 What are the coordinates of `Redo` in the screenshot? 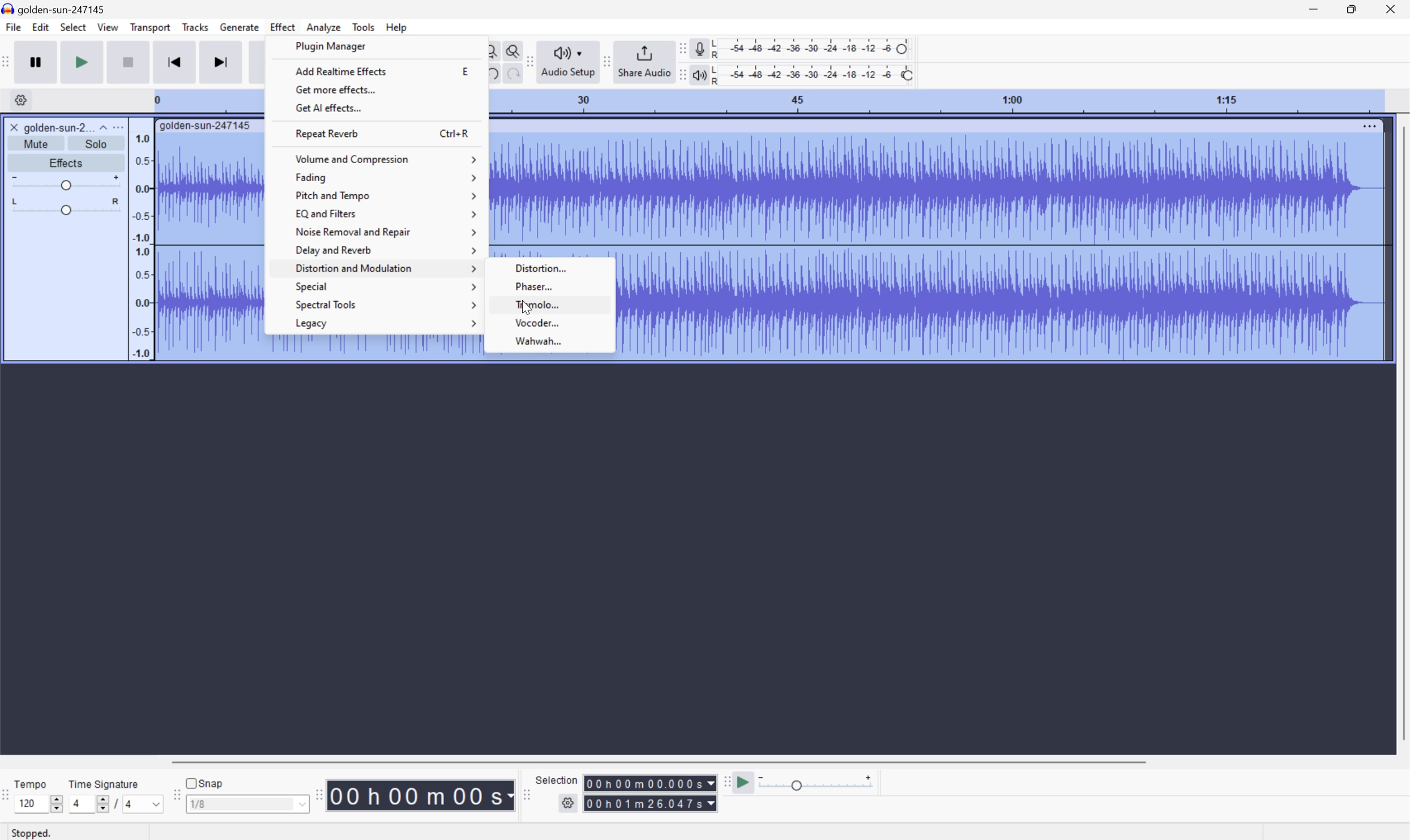 It's located at (512, 75).